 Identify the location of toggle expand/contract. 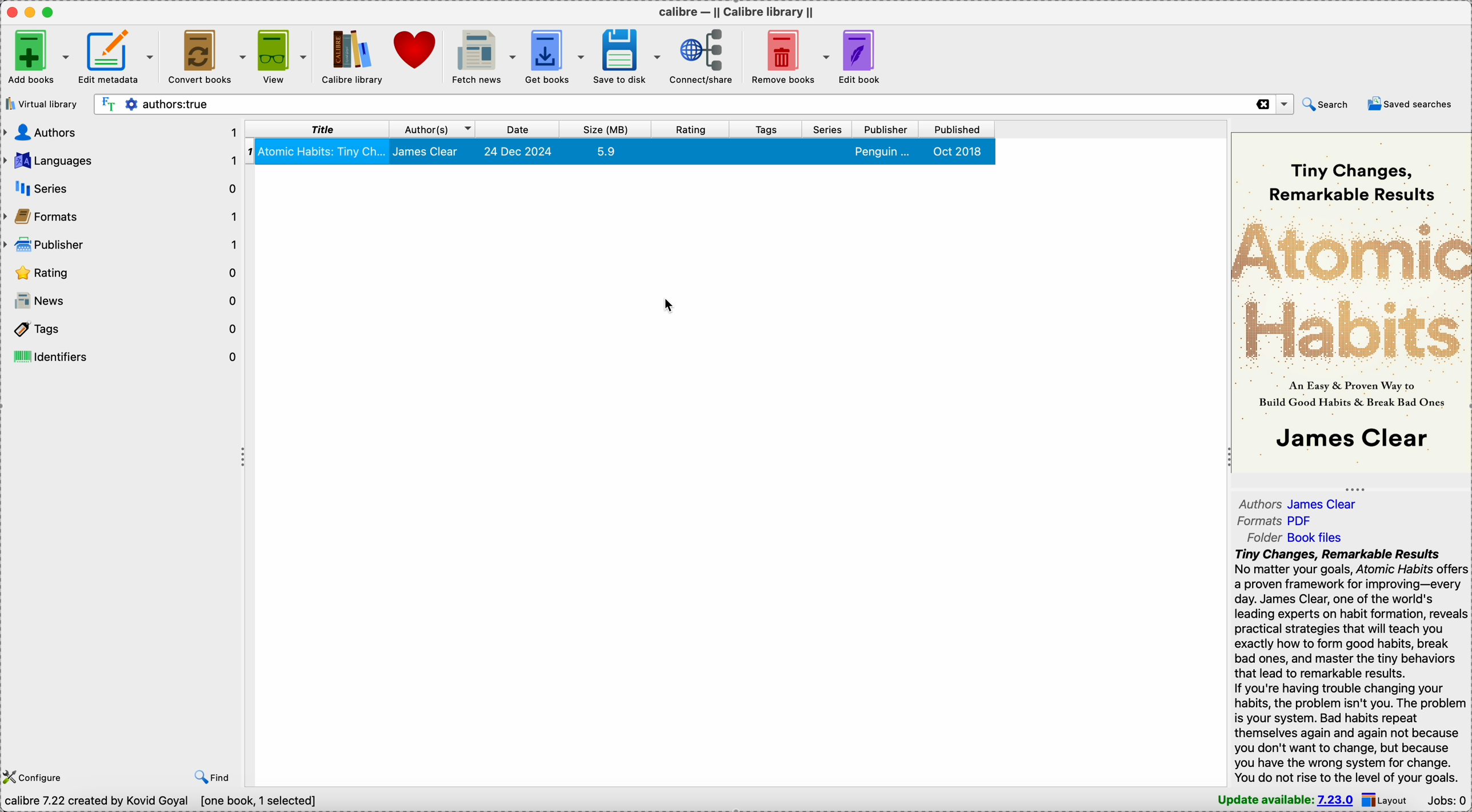
(1227, 455).